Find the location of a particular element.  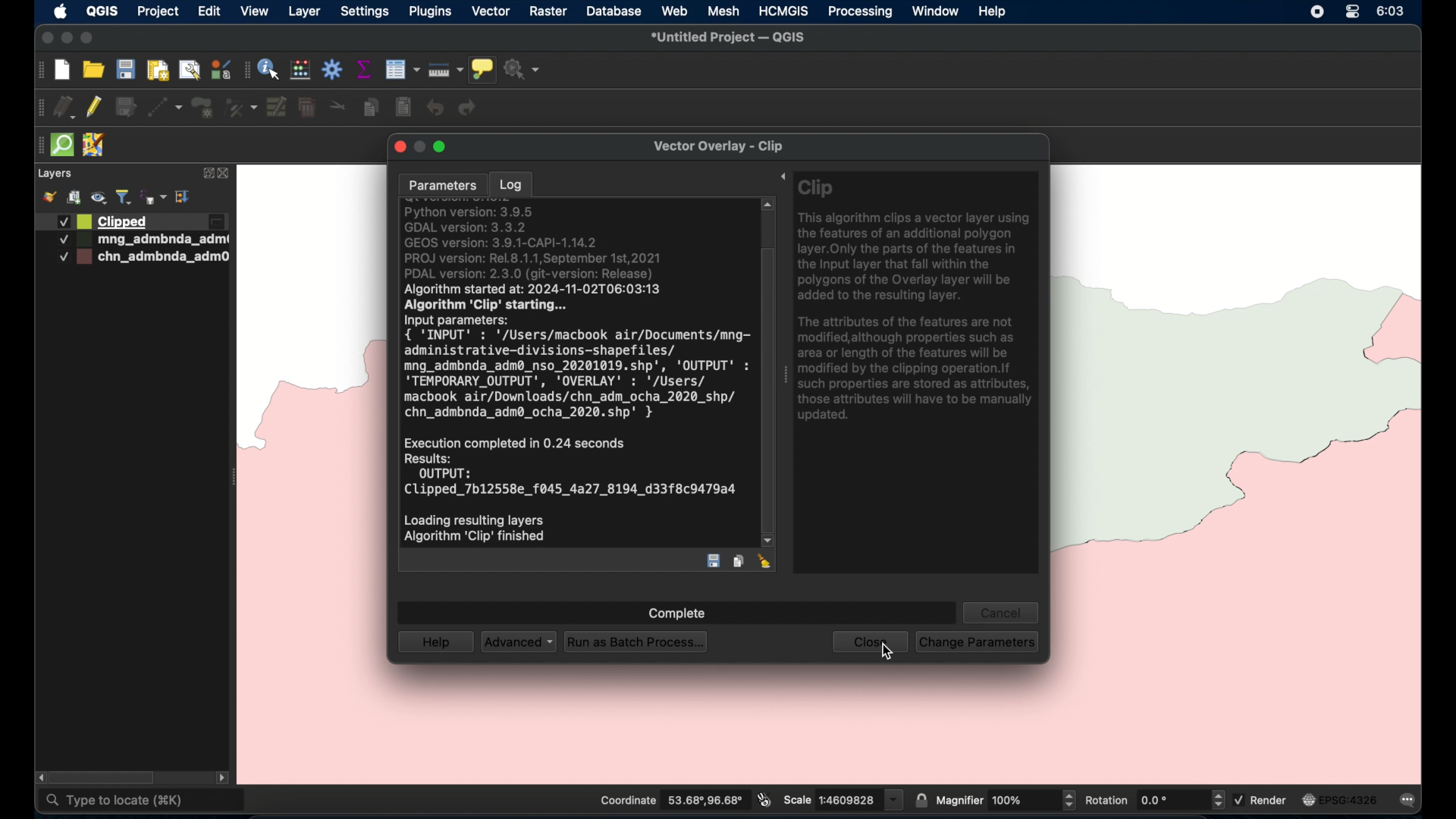

rotation is located at coordinates (1153, 799).